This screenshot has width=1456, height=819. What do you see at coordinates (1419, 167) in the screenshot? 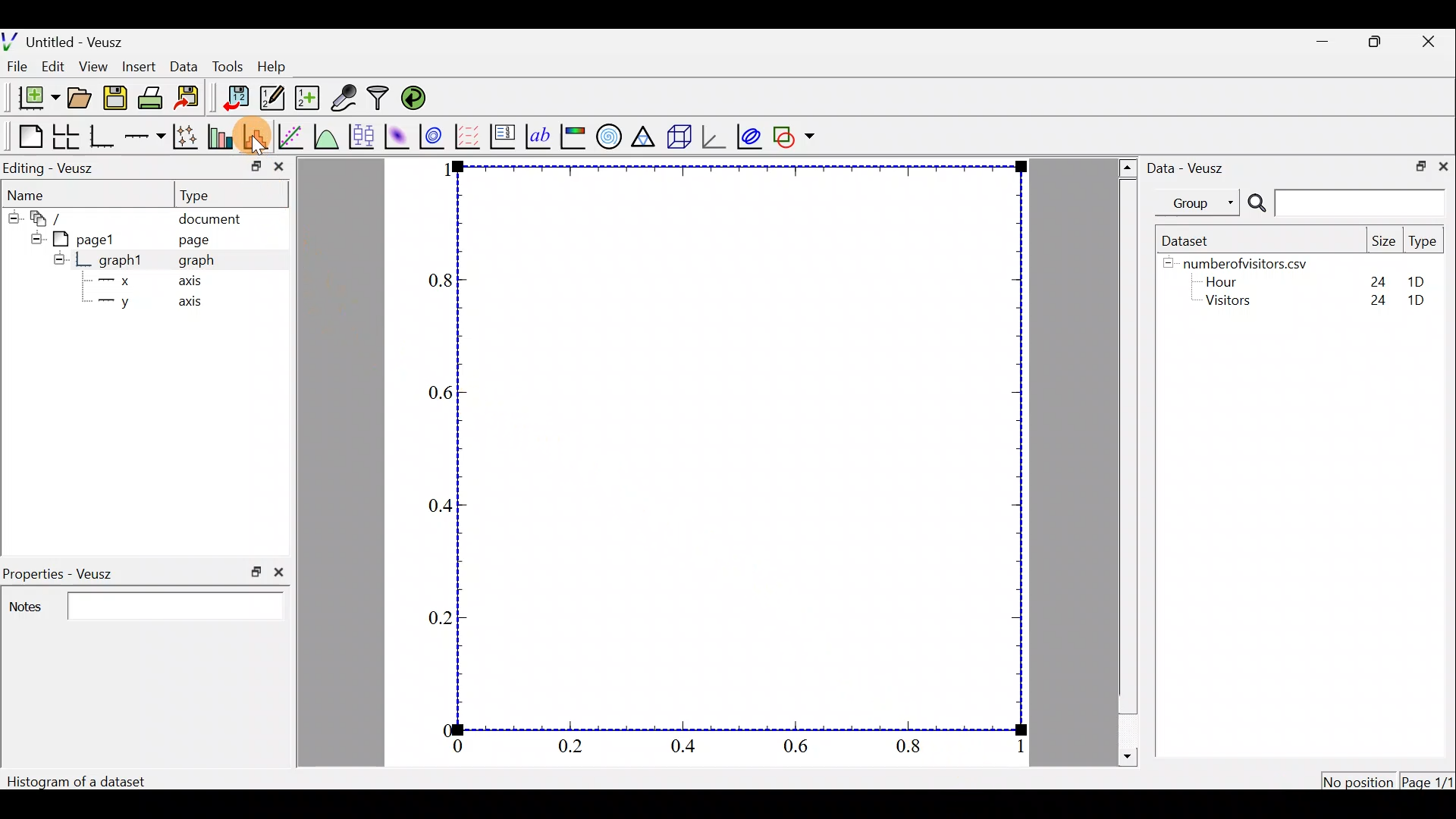
I see `restore down` at bounding box center [1419, 167].